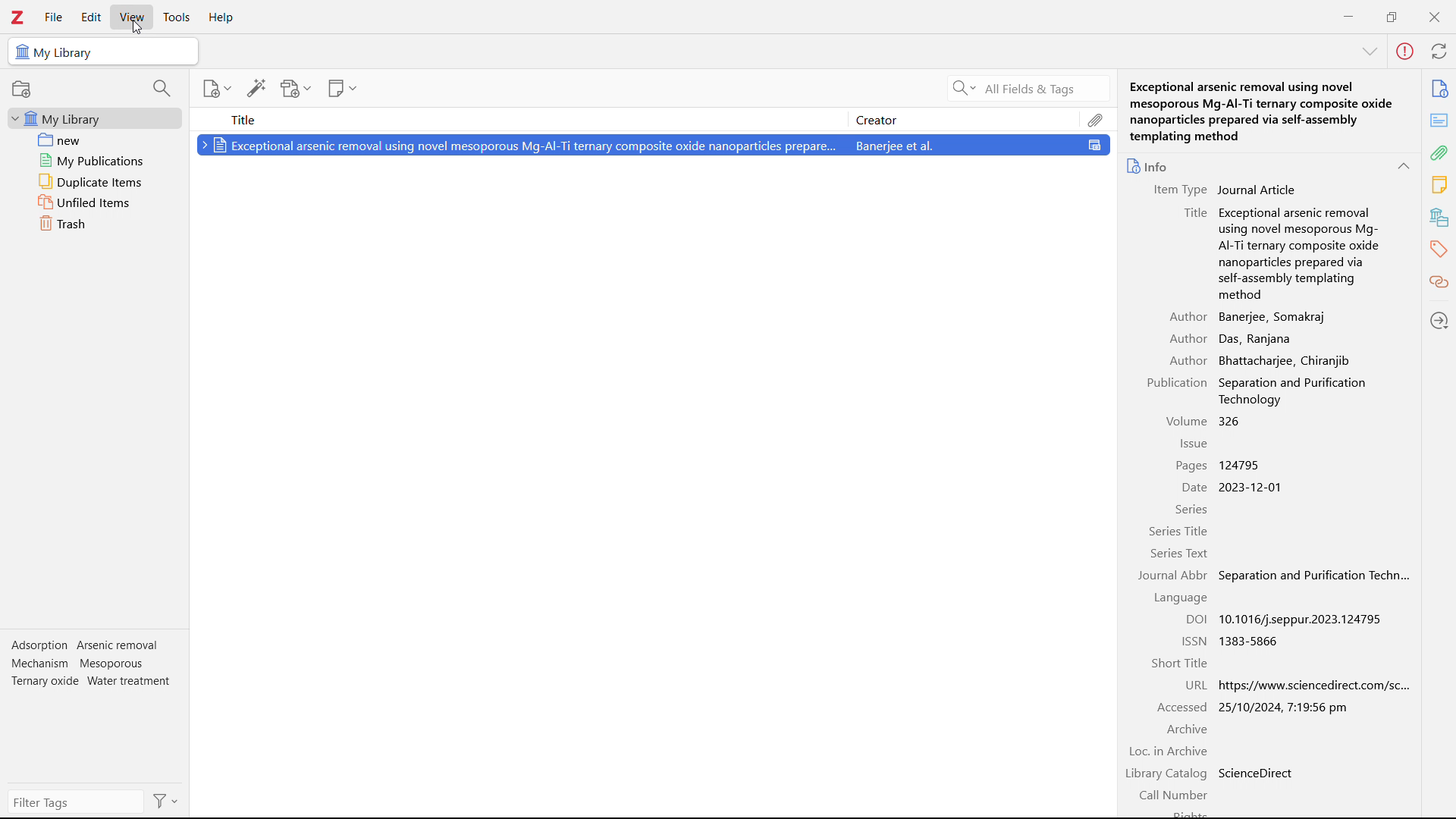 This screenshot has width=1456, height=819. What do you see at coordinates (1439, 217) in the screenshot?
I see `libraries and collections` at bounding box center [1439, 217].